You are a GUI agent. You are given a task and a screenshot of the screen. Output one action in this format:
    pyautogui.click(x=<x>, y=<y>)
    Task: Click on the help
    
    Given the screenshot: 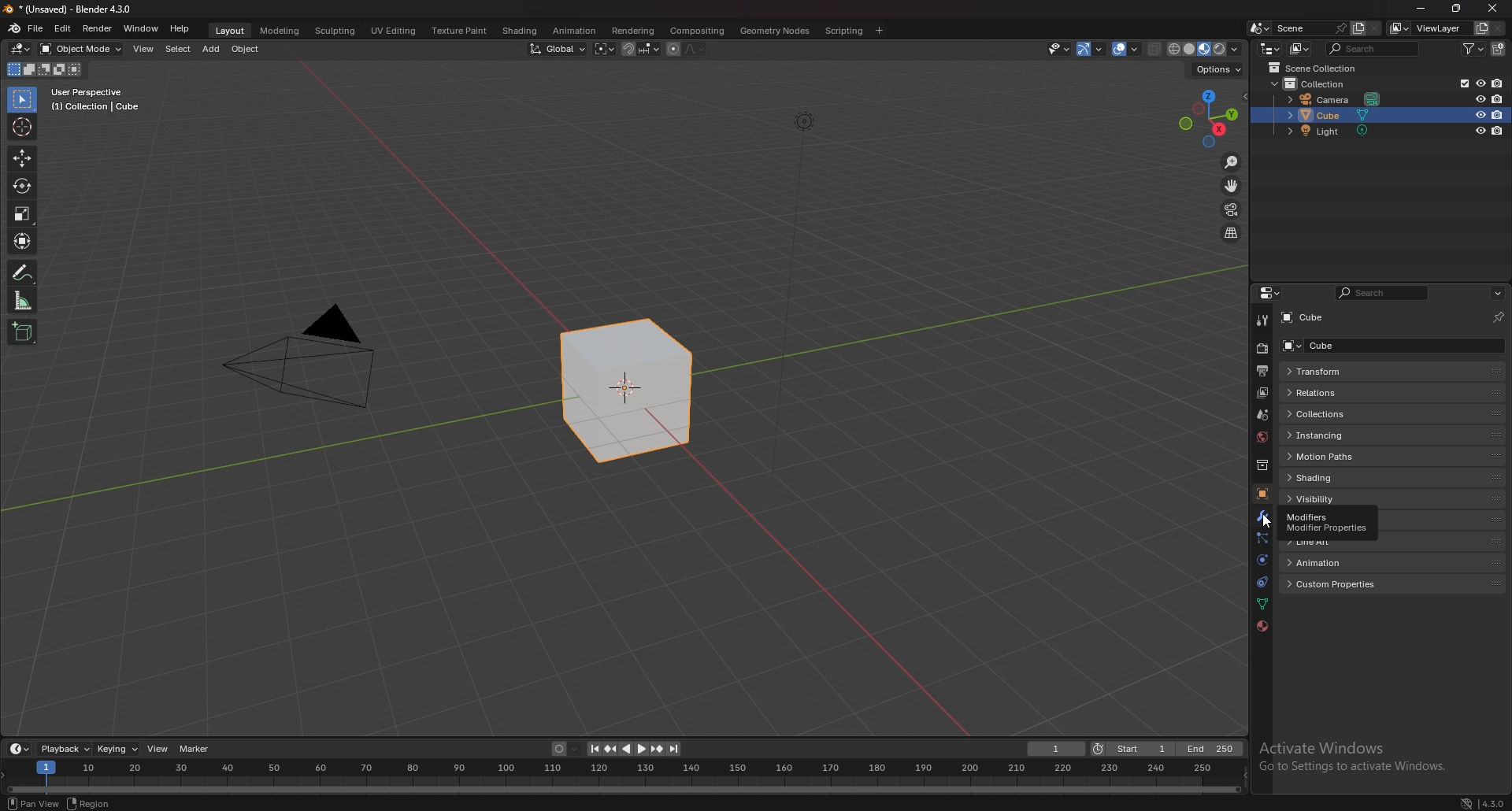 What is the action you would take?
    pyautogui.click(x=180, y=28)
    